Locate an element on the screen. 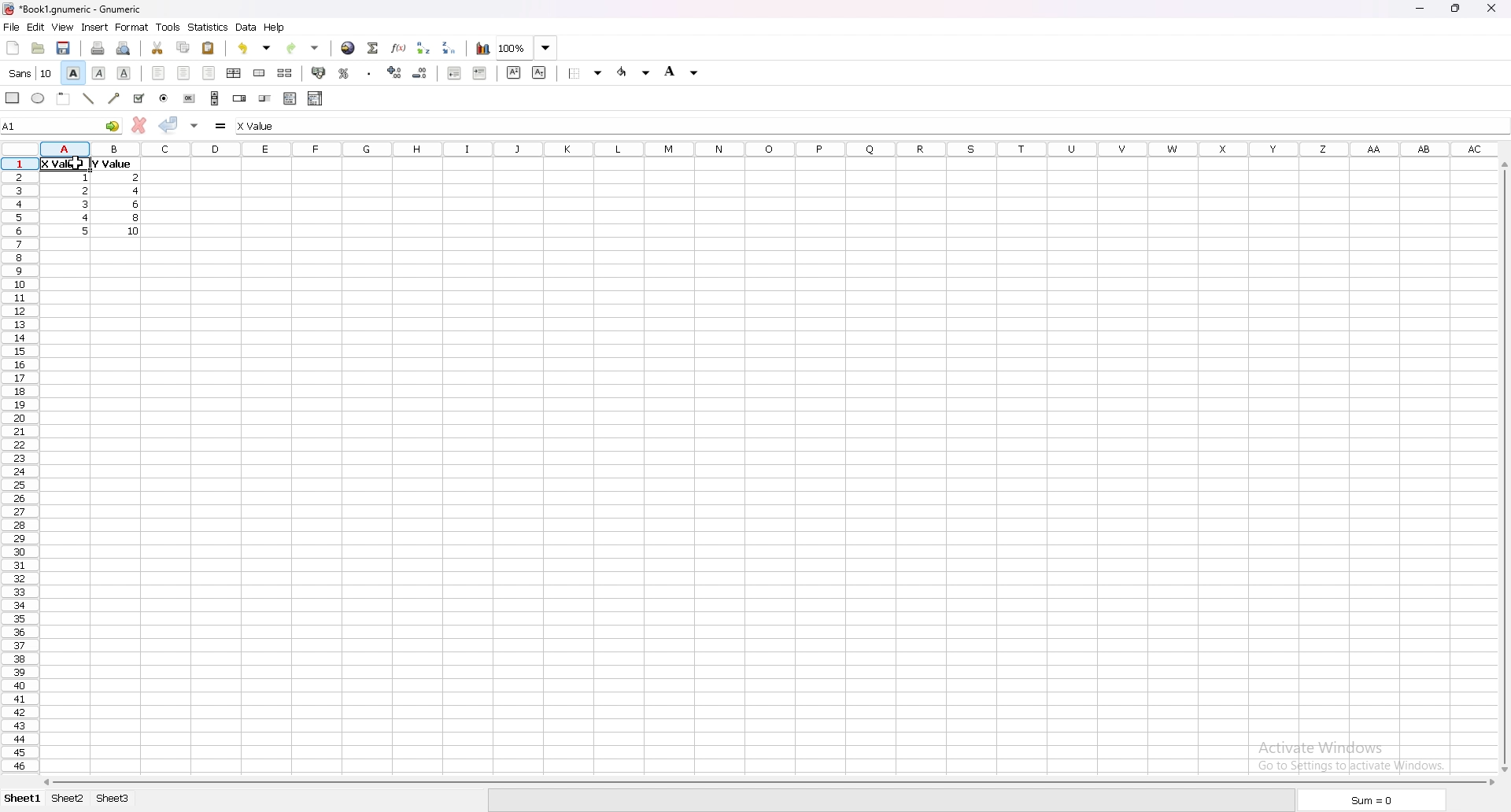 The height and width of the screenshot is (812, 1511). arrowed line is located at coordinates (115, 98).